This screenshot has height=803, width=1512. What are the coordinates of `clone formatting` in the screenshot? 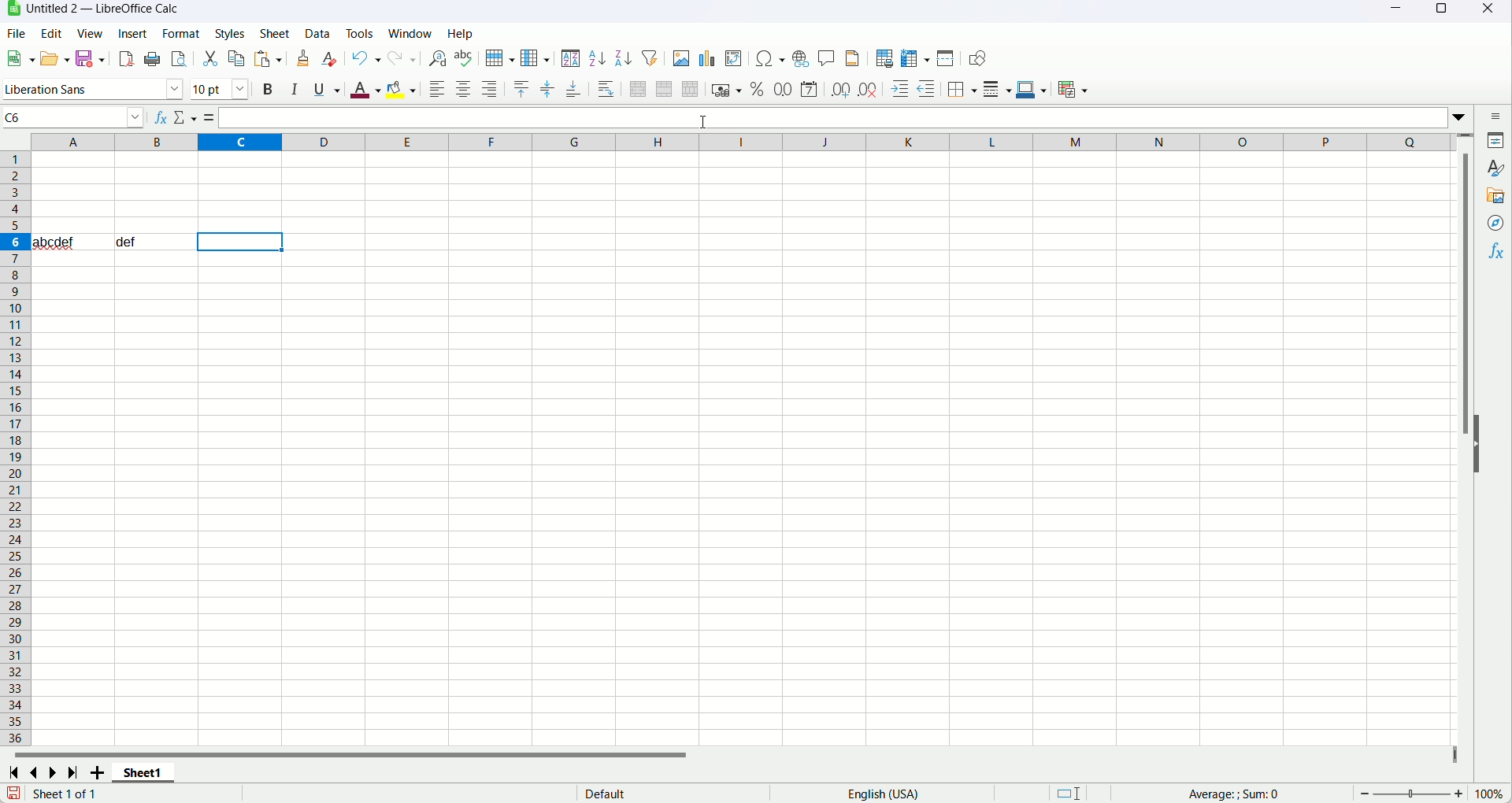 It's located at (303, 58).